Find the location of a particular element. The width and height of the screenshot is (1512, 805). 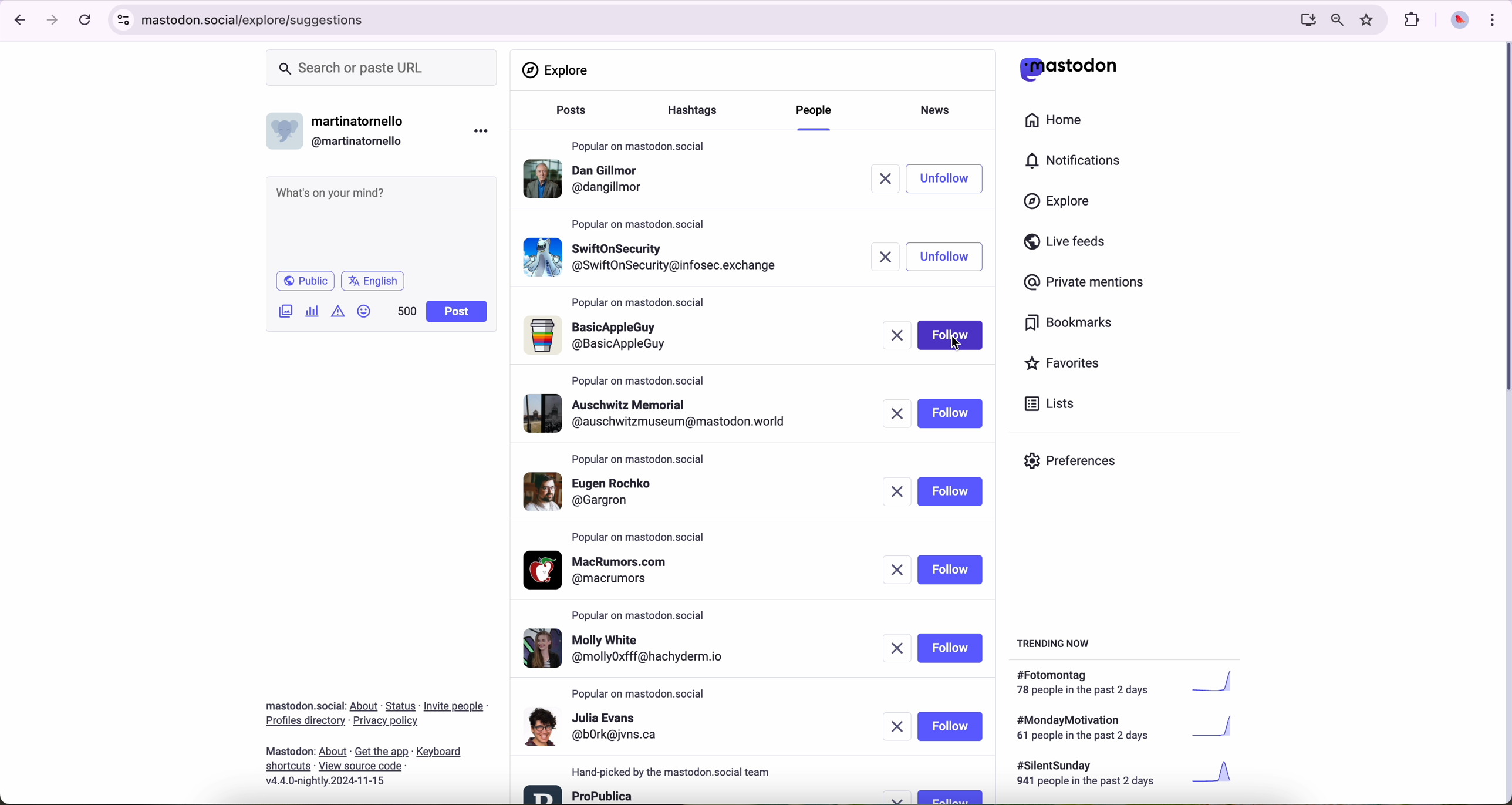

trending now is located at coordinates (1055, 642).